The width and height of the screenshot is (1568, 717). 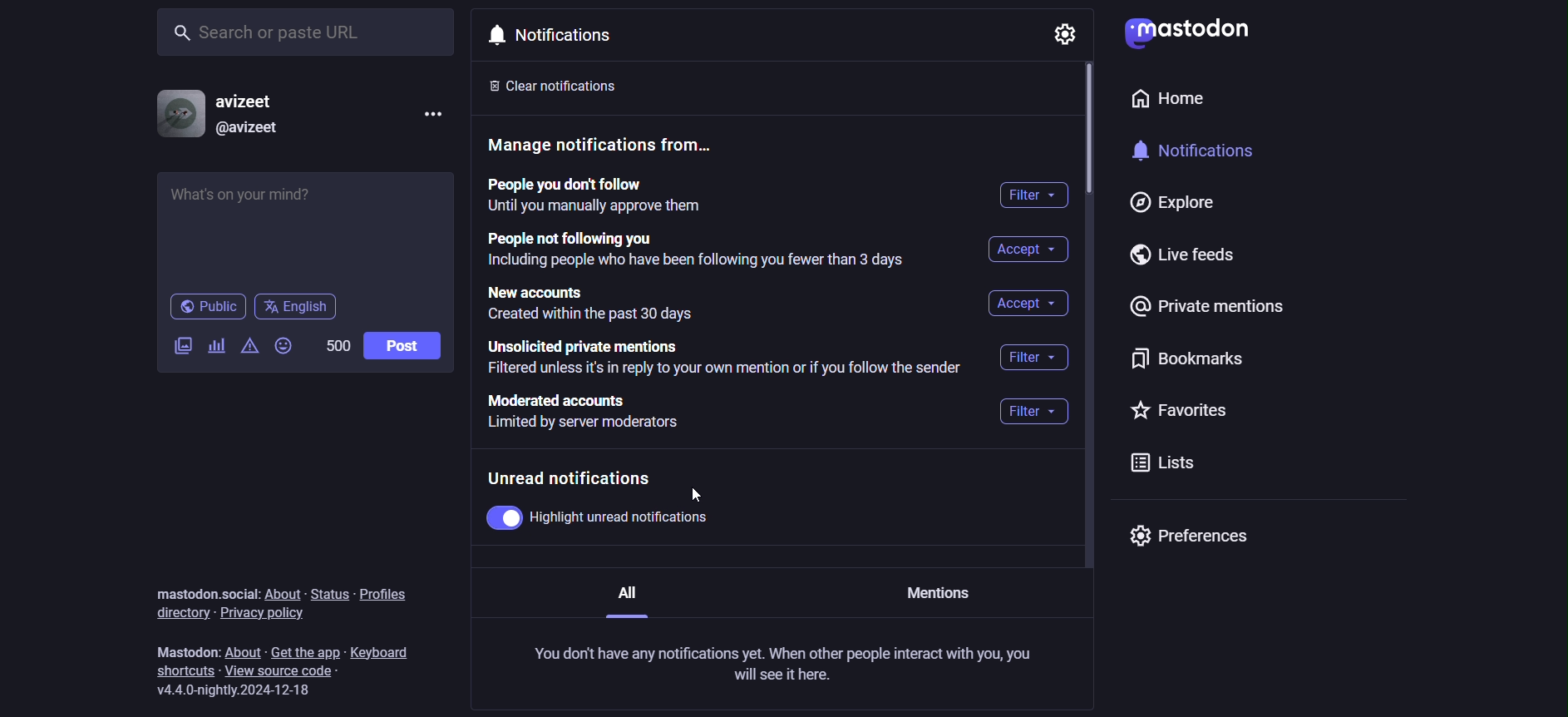 I want to click on mastodon, so click(x=1203, y=32).